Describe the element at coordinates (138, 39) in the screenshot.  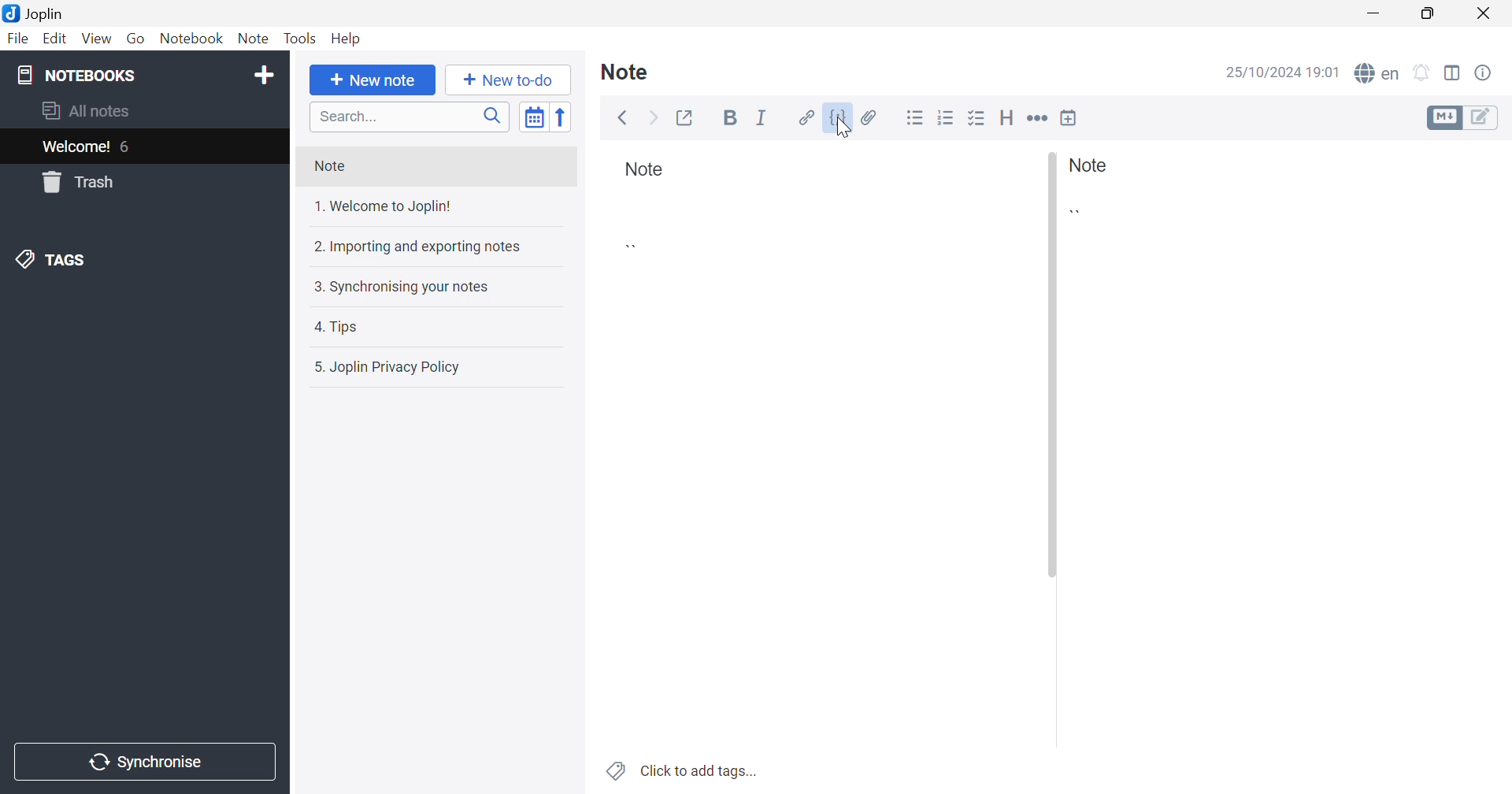
I see `Go` at that location.